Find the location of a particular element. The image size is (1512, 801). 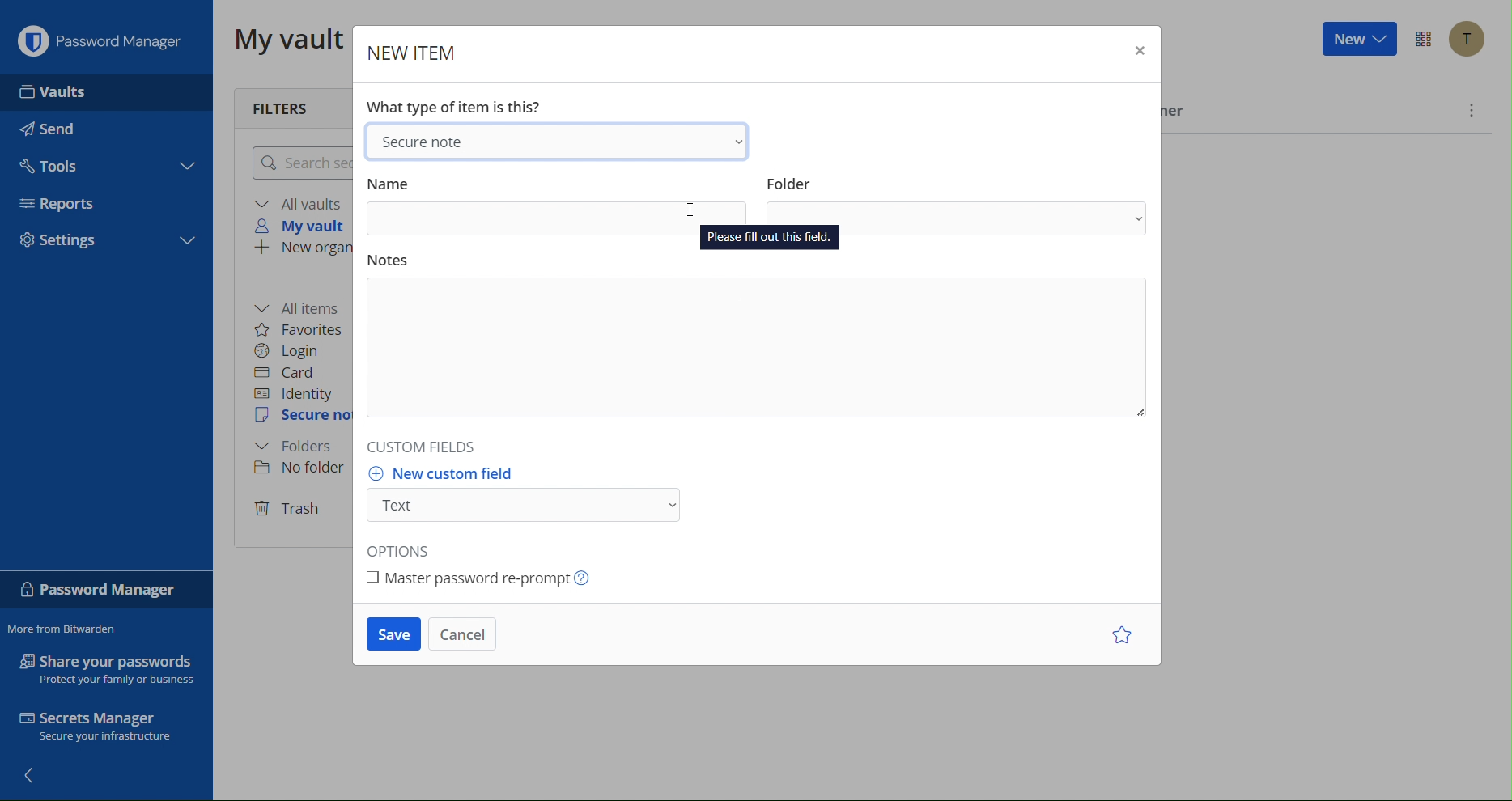

Send is located at coordinates (54, 129).